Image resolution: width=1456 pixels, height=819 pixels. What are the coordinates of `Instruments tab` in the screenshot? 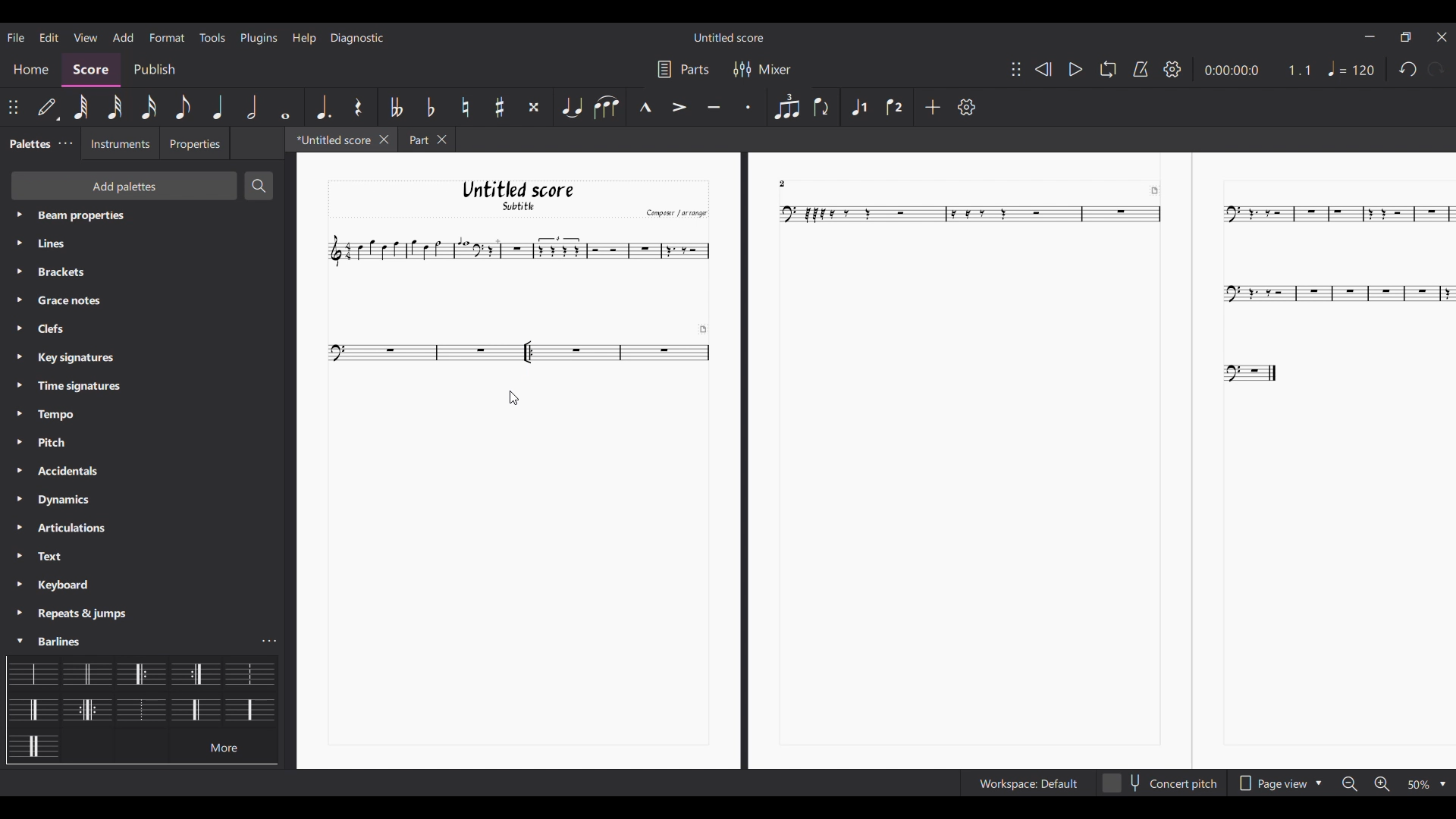 It's located at (118, 143).